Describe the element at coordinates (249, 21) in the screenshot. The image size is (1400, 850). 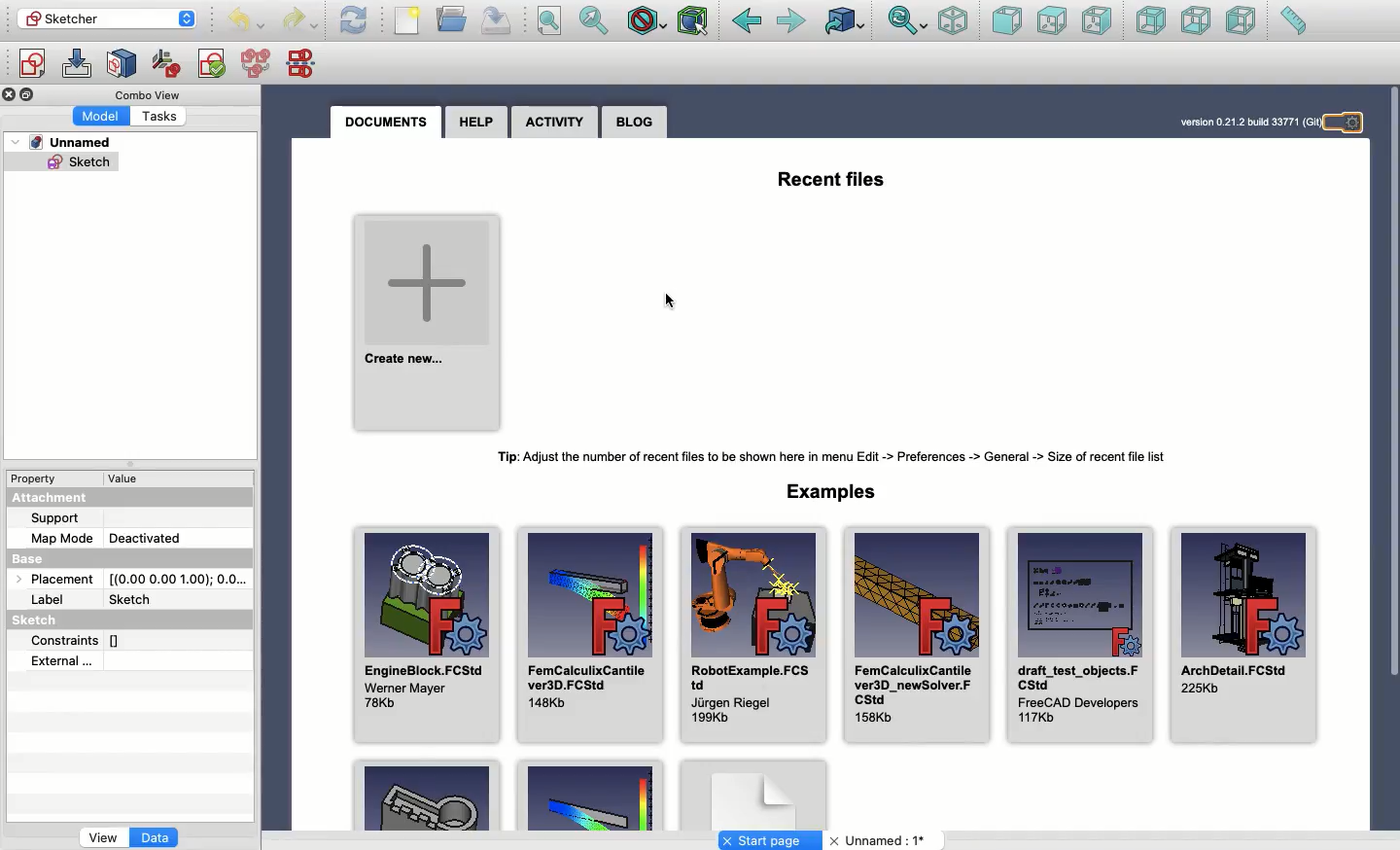
I see `Undo` at that location.